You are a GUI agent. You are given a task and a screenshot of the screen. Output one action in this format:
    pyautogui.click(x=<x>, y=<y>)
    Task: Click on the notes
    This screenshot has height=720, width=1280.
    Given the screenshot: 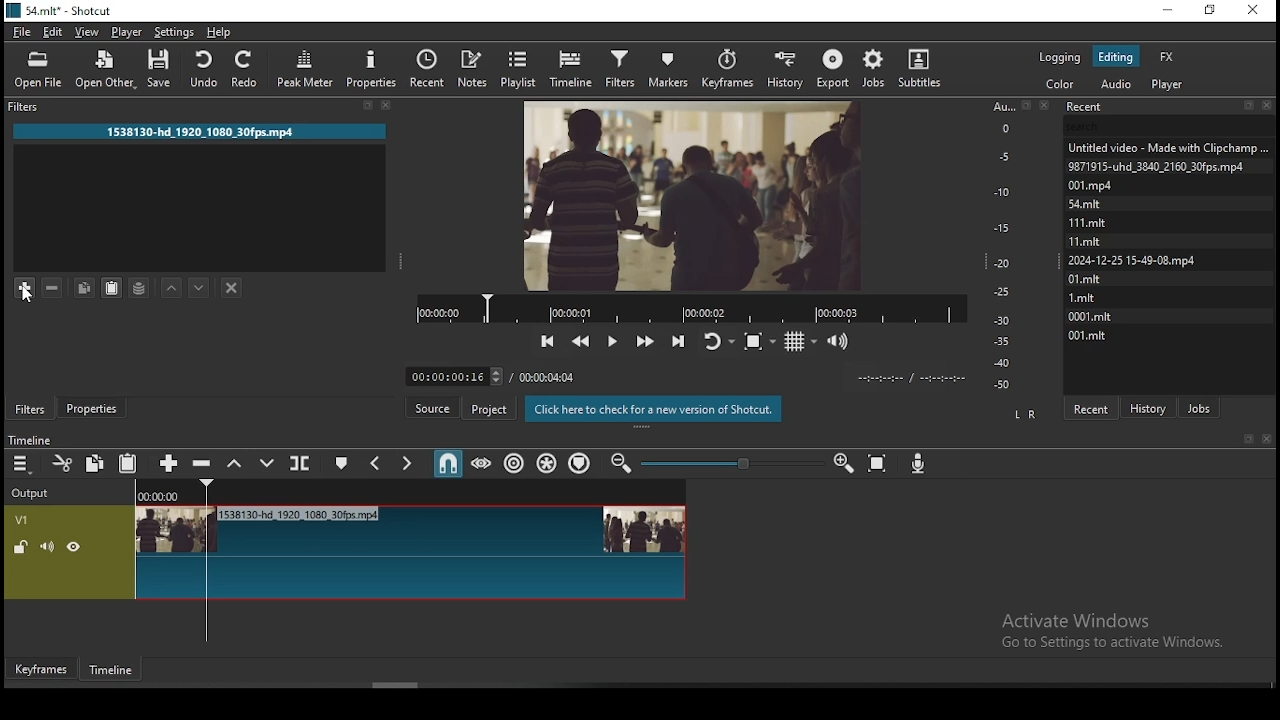 What is the action you would take?
    pyautogui.click(x=475, y=67)
    